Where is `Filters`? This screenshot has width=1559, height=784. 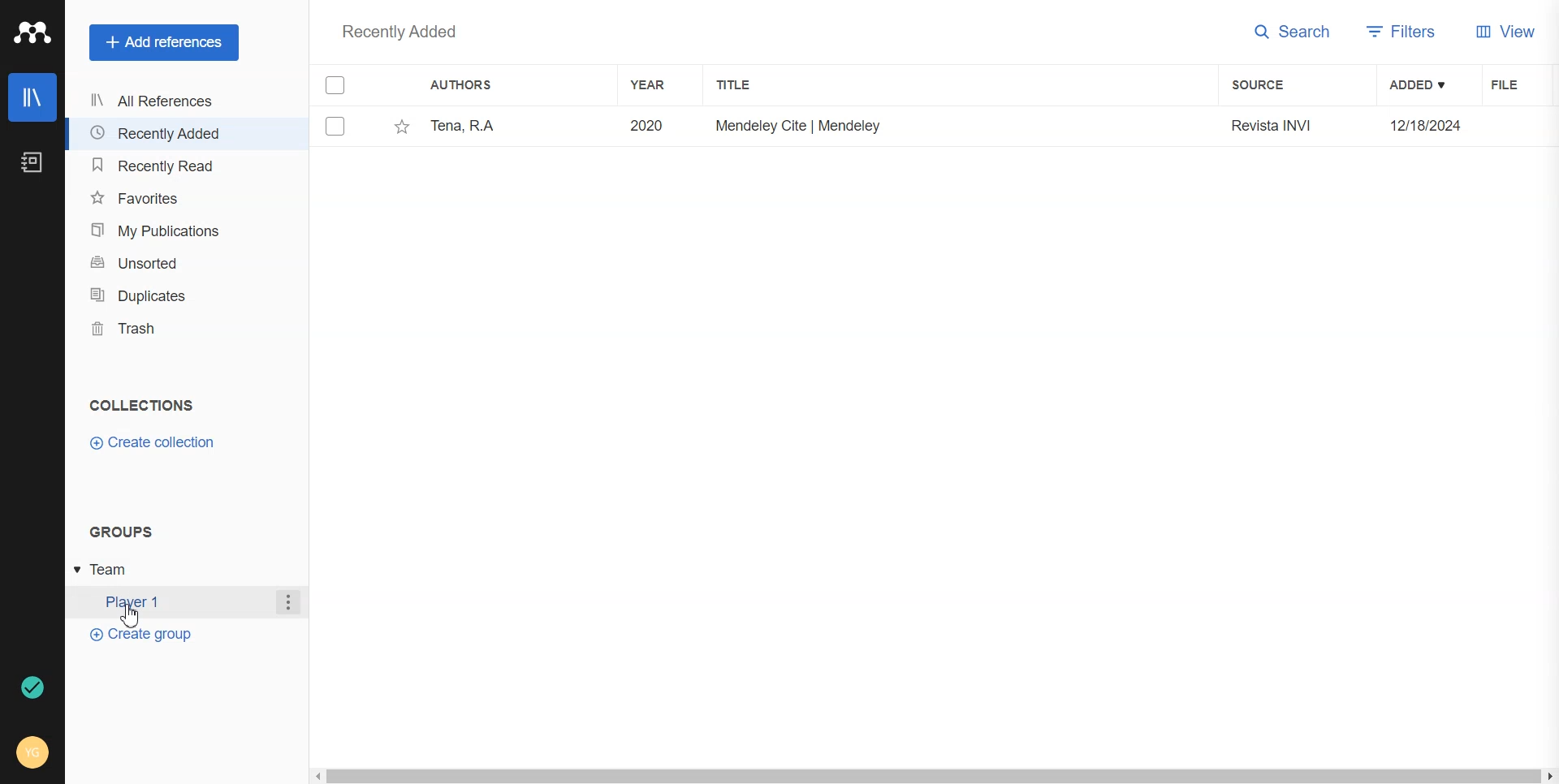 Filters is located at coordinates (1401, 32).